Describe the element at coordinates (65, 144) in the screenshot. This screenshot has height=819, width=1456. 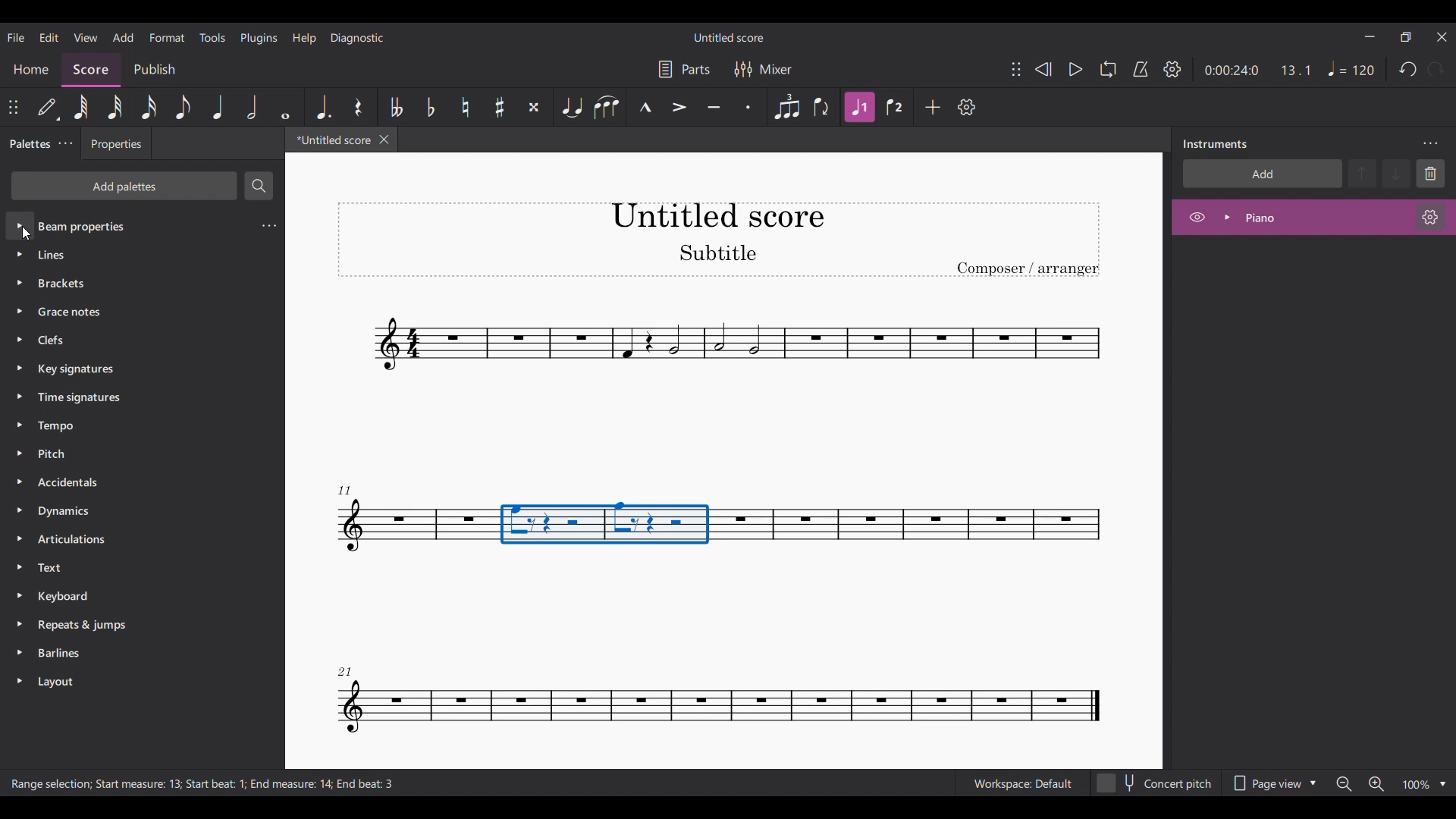
I see `More settings` at that location.